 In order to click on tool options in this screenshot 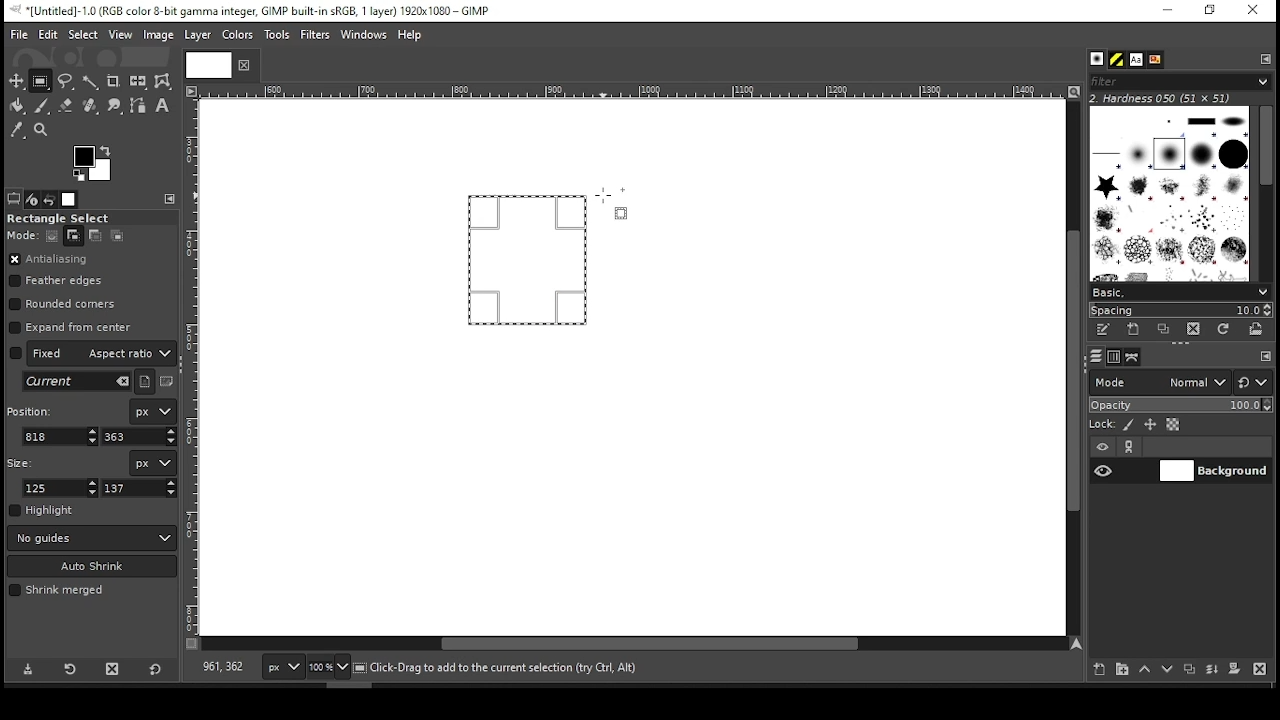, I will do `click(14, 198)`.